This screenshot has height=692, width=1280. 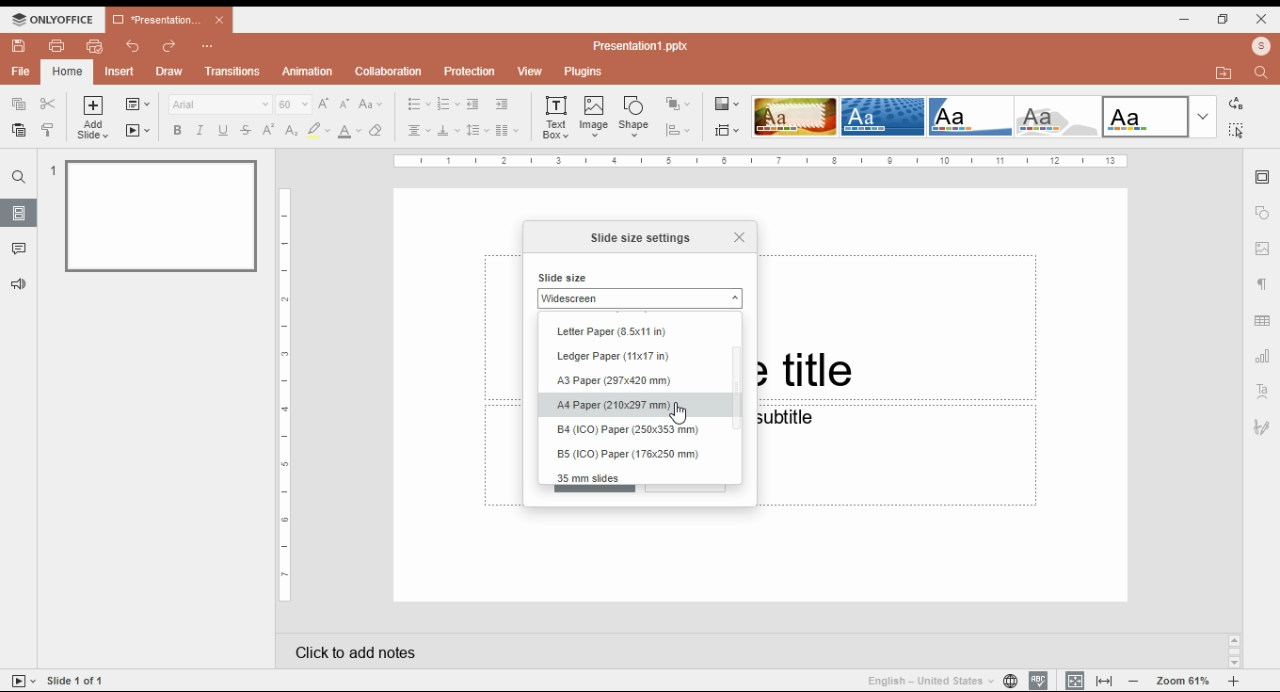 What do you see at coordinates (309, 71) in the screenshot?
I see `animation` at bounding box center [309, 71].